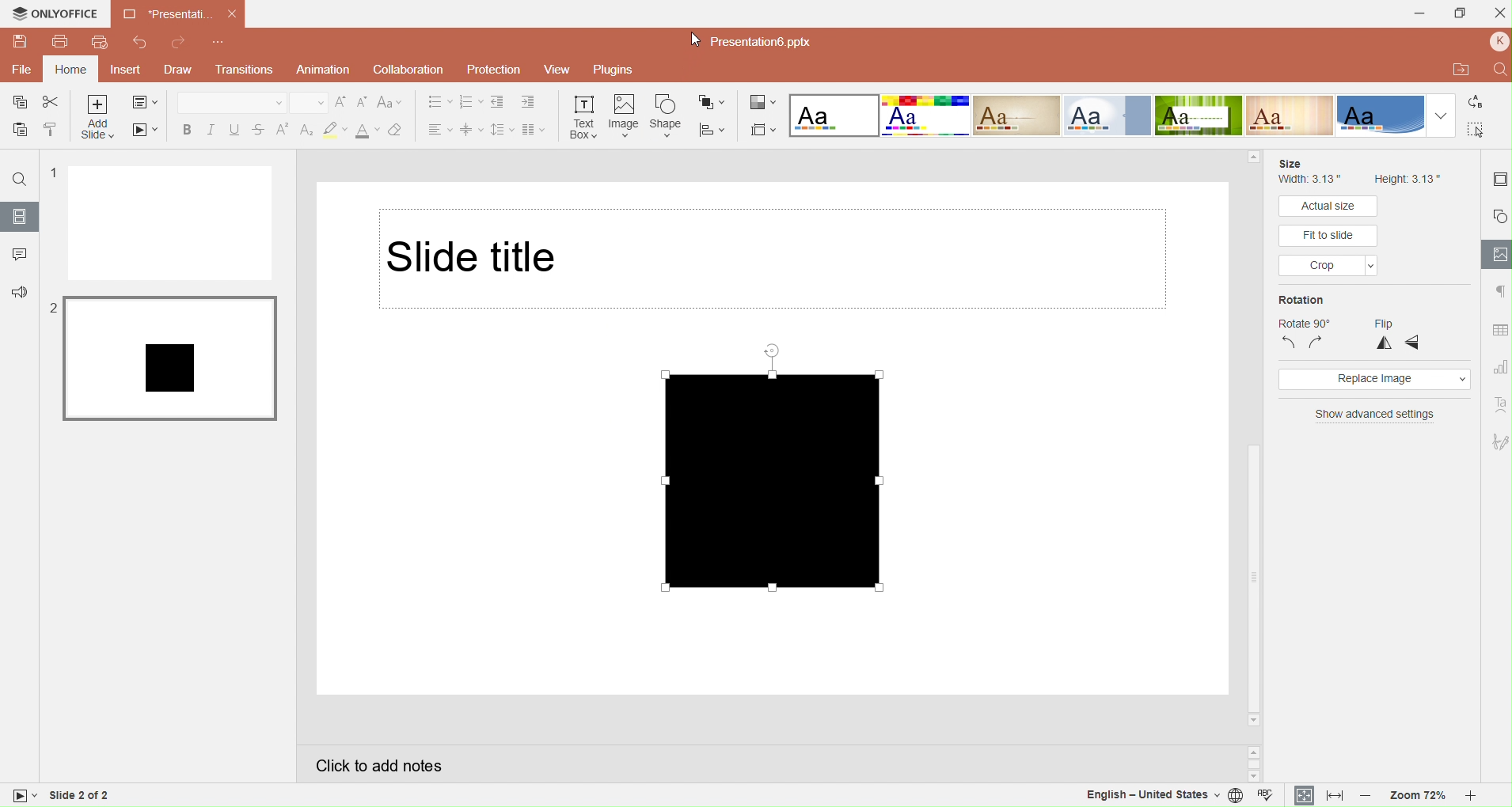 The width and height of the screenshot is (1512, 807). I want to click on Opacity, so click(1324, 235).